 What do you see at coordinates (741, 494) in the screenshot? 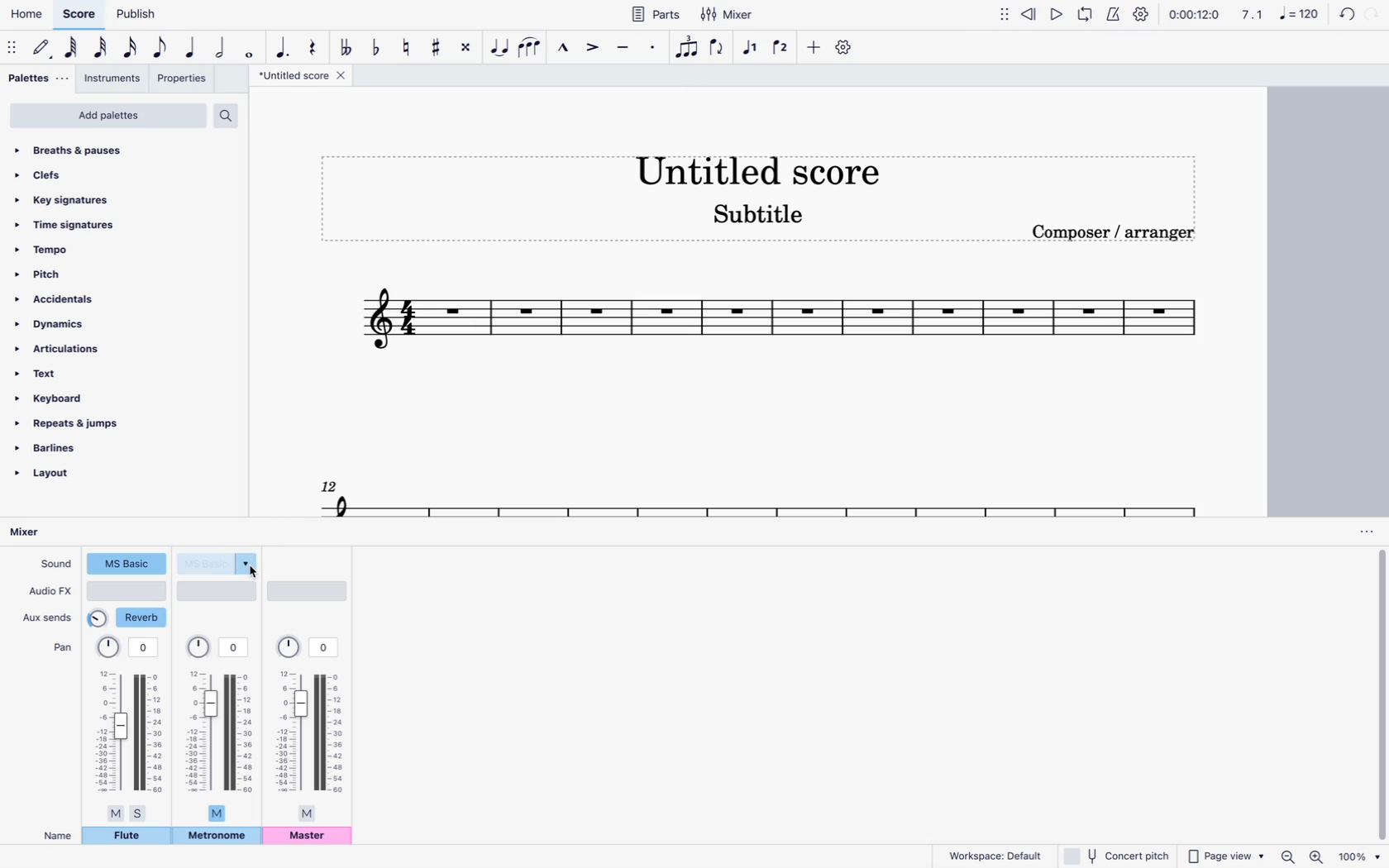
I see `score` at bounding box center [741, 494].